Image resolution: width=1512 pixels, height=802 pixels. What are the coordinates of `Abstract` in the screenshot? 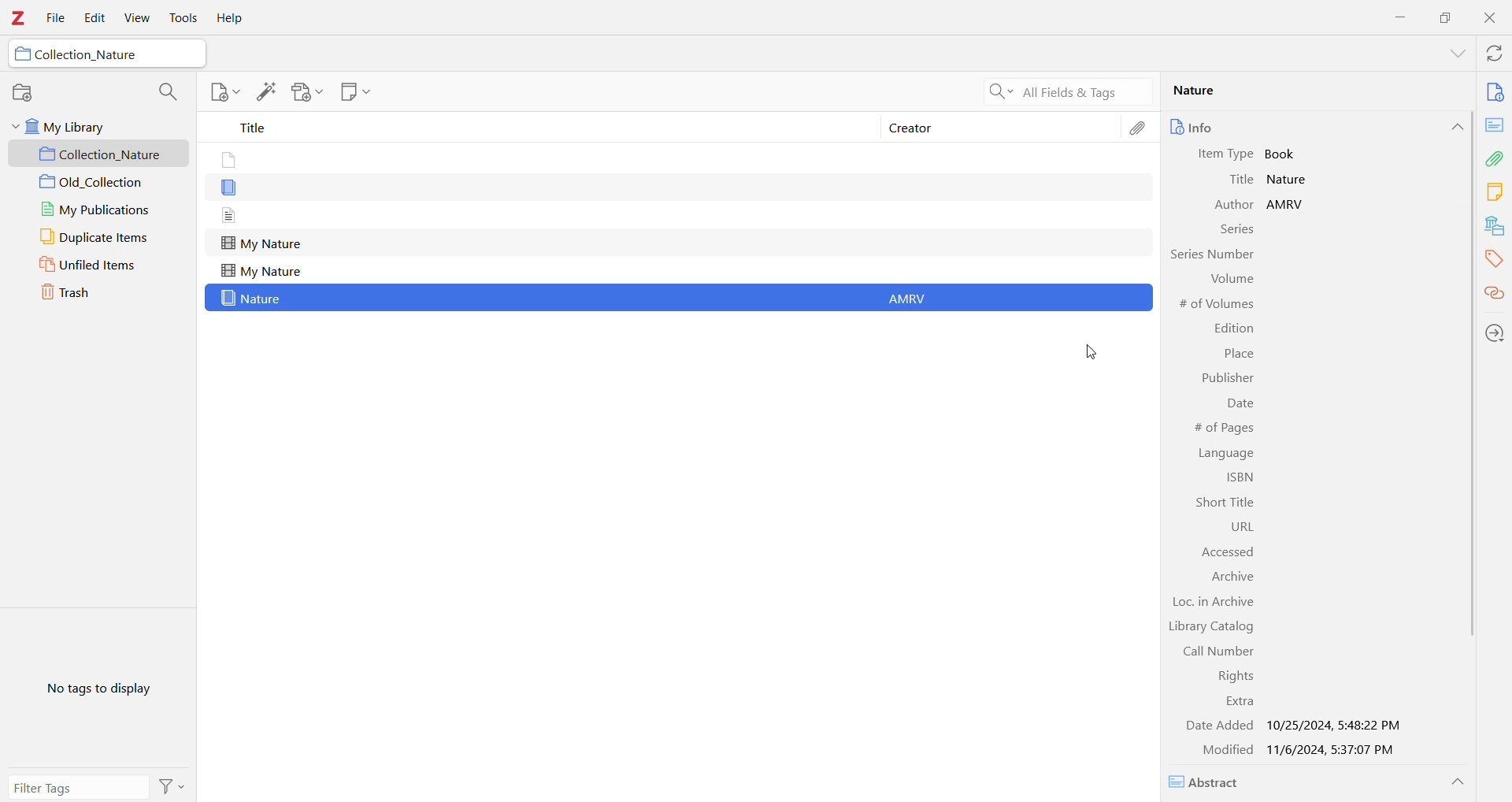 It's located at (1210, 782).